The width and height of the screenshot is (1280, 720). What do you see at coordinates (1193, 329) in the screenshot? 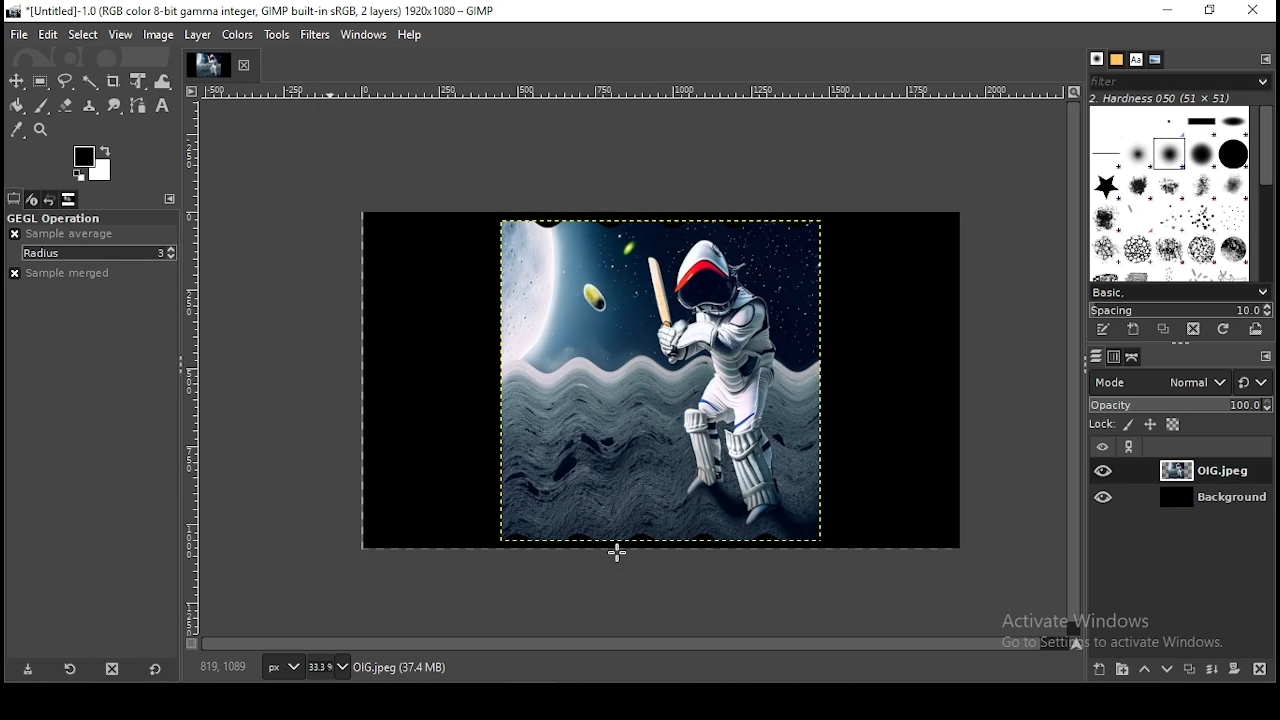
I see `delete this brush` at bounding box center [1193, 329].